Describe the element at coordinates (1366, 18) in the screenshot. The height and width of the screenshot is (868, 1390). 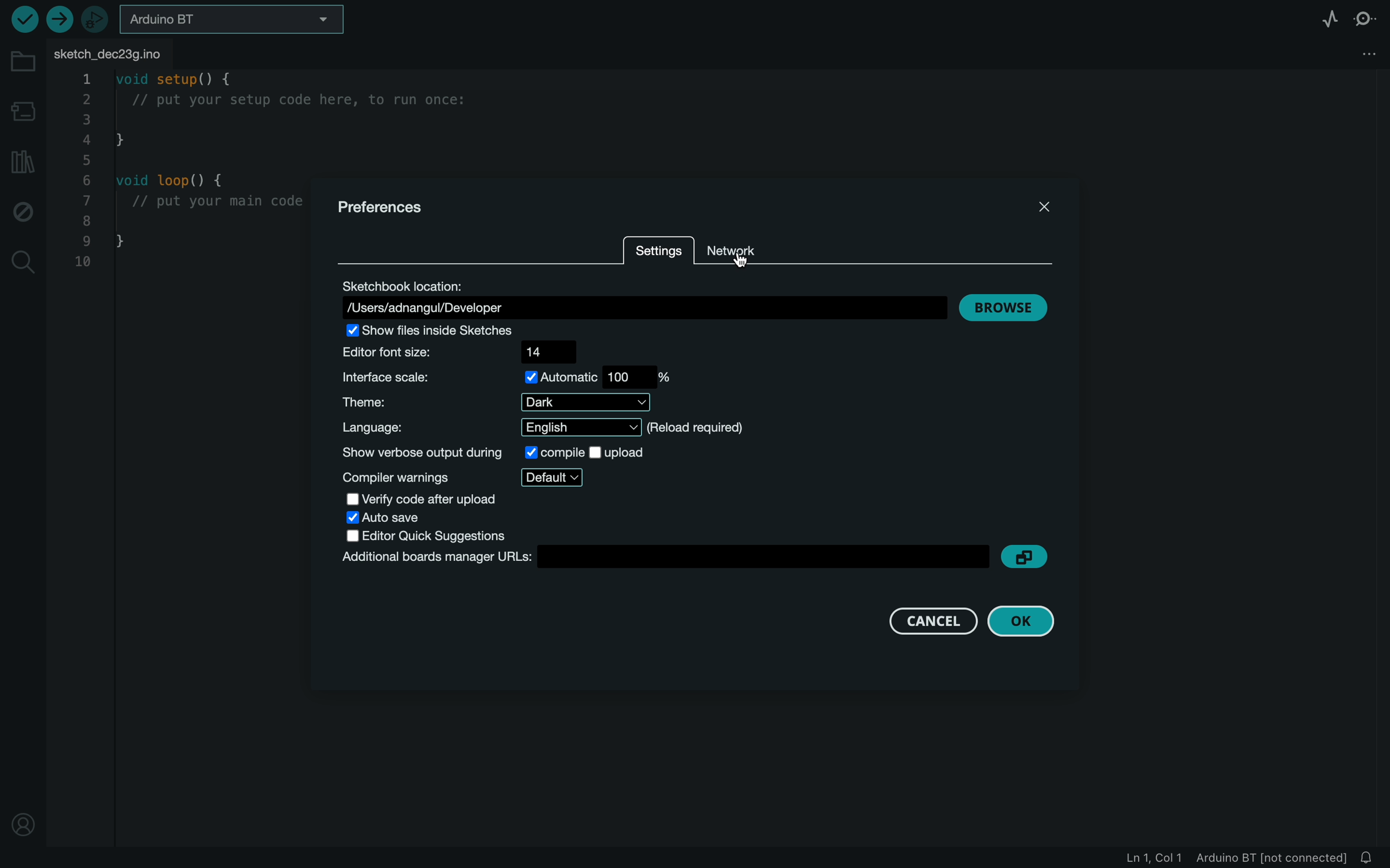
I see `serial monitor` at that location.